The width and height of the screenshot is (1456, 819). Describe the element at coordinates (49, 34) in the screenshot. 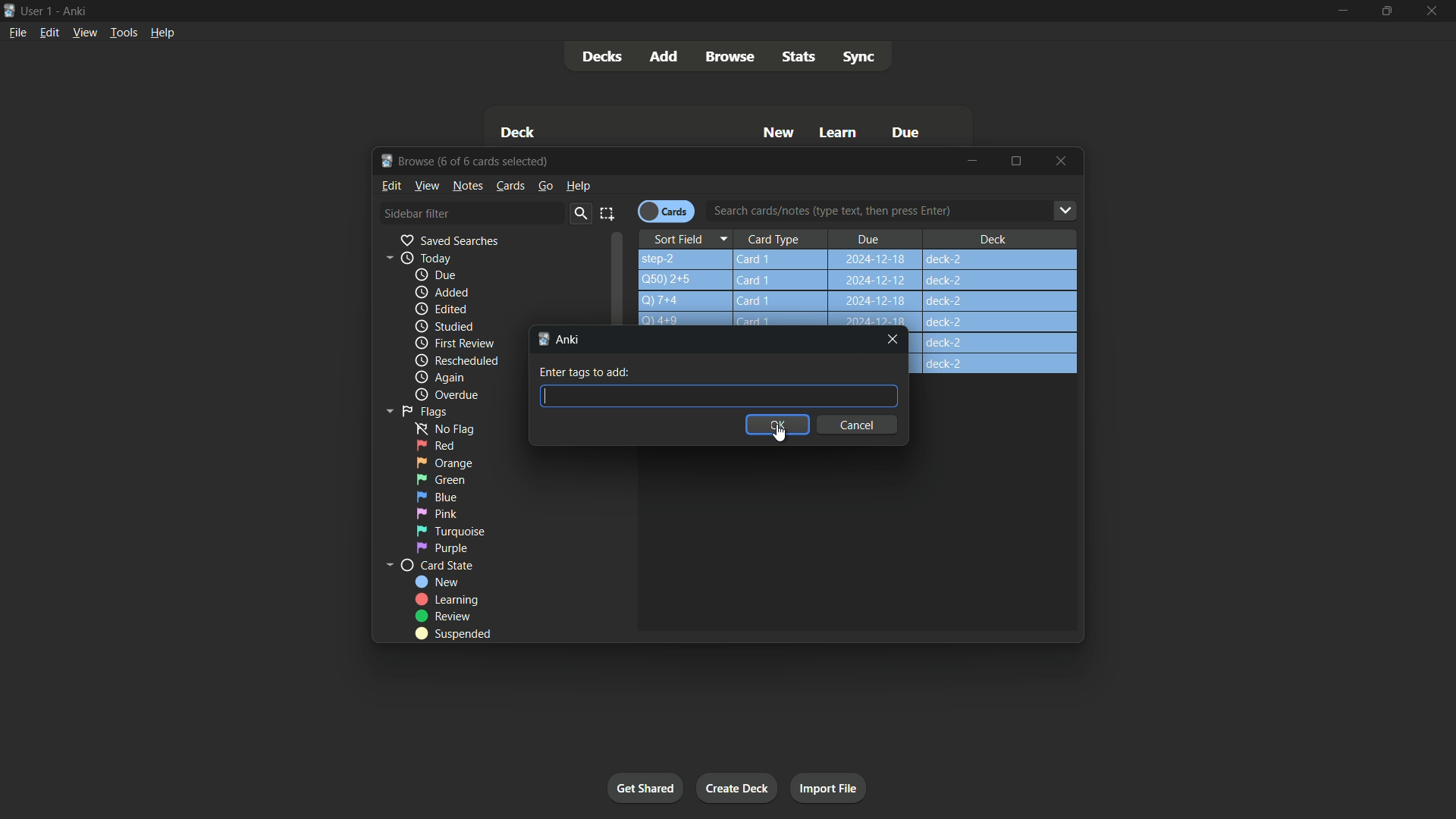

I see `Edit menu` at that location.